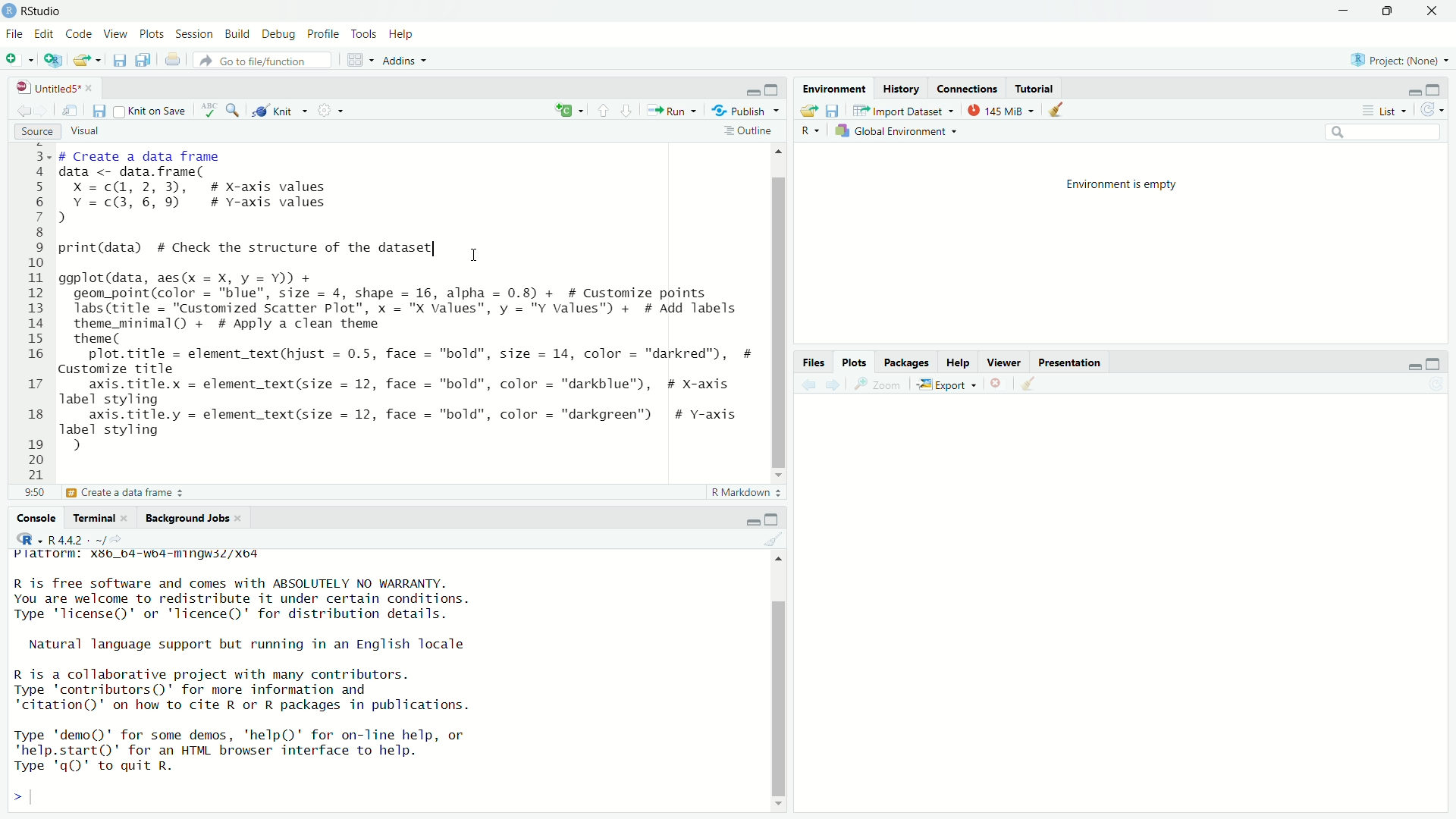  Describe the element at coordinates (773, 538) in the screenshot. I see `Clear console` at that location.